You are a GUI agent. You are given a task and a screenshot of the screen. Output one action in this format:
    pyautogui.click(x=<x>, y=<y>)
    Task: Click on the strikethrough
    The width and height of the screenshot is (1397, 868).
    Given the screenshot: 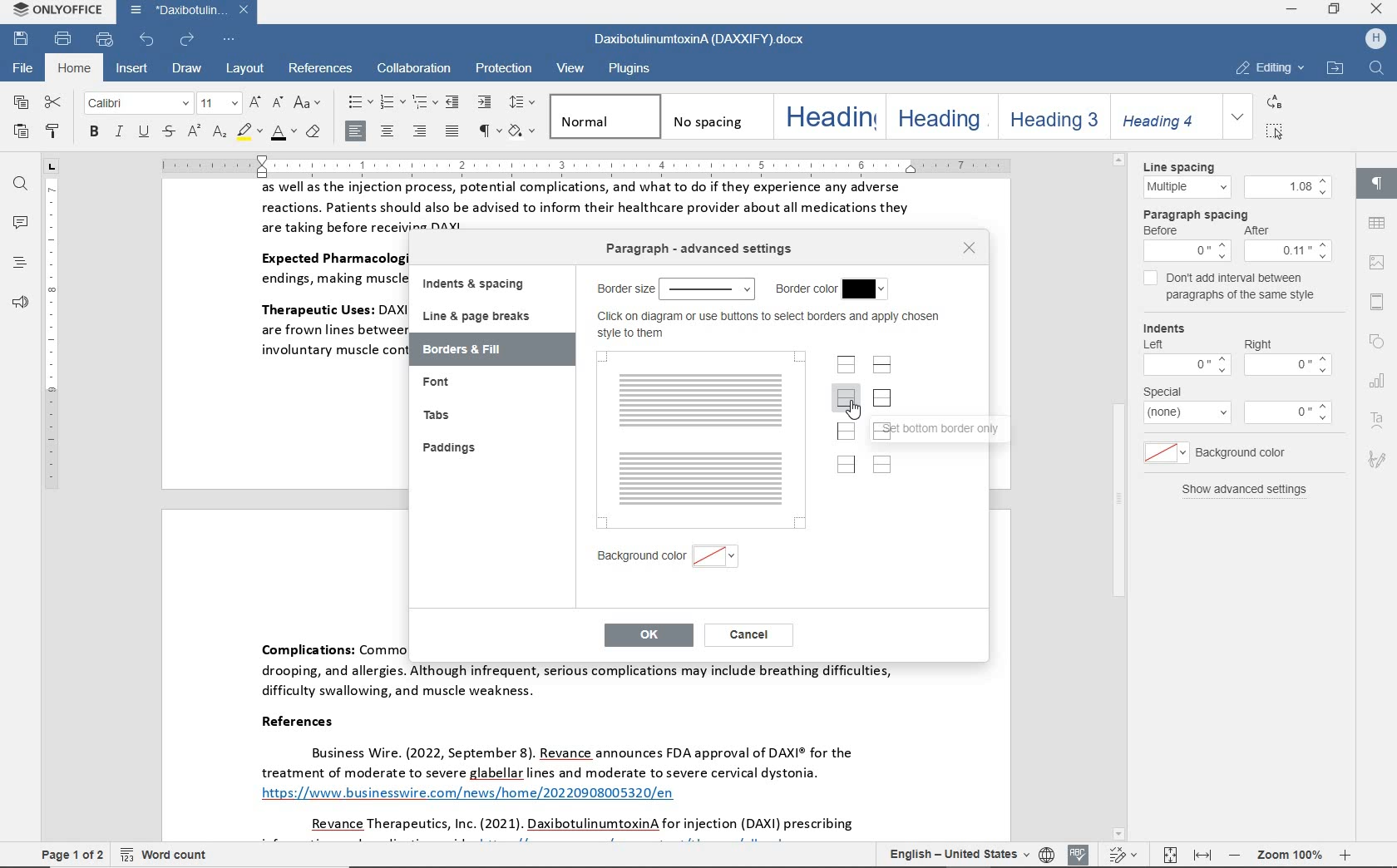 What is the action you would take?
    pyautogui.click(x=167, y=133)
    